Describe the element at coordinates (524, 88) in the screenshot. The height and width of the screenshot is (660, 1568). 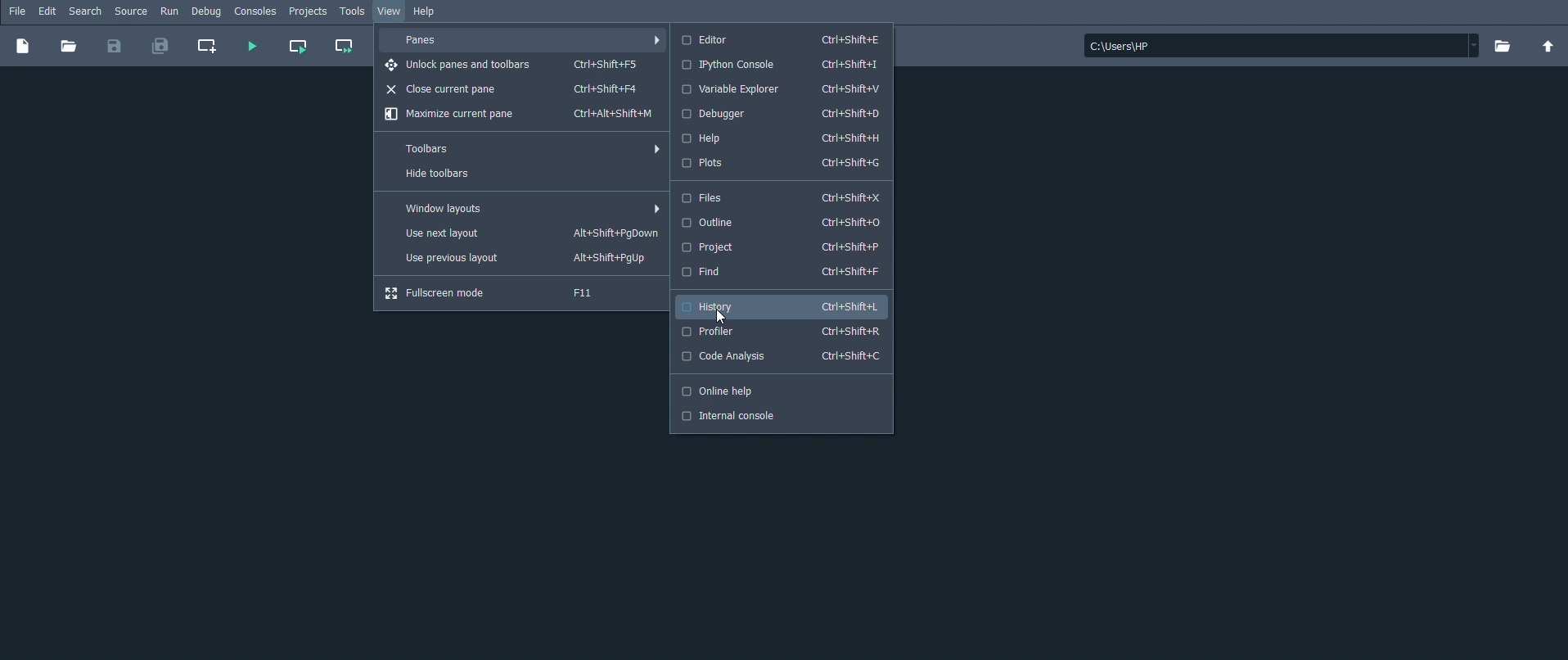
I see `Close current pane` at that location.